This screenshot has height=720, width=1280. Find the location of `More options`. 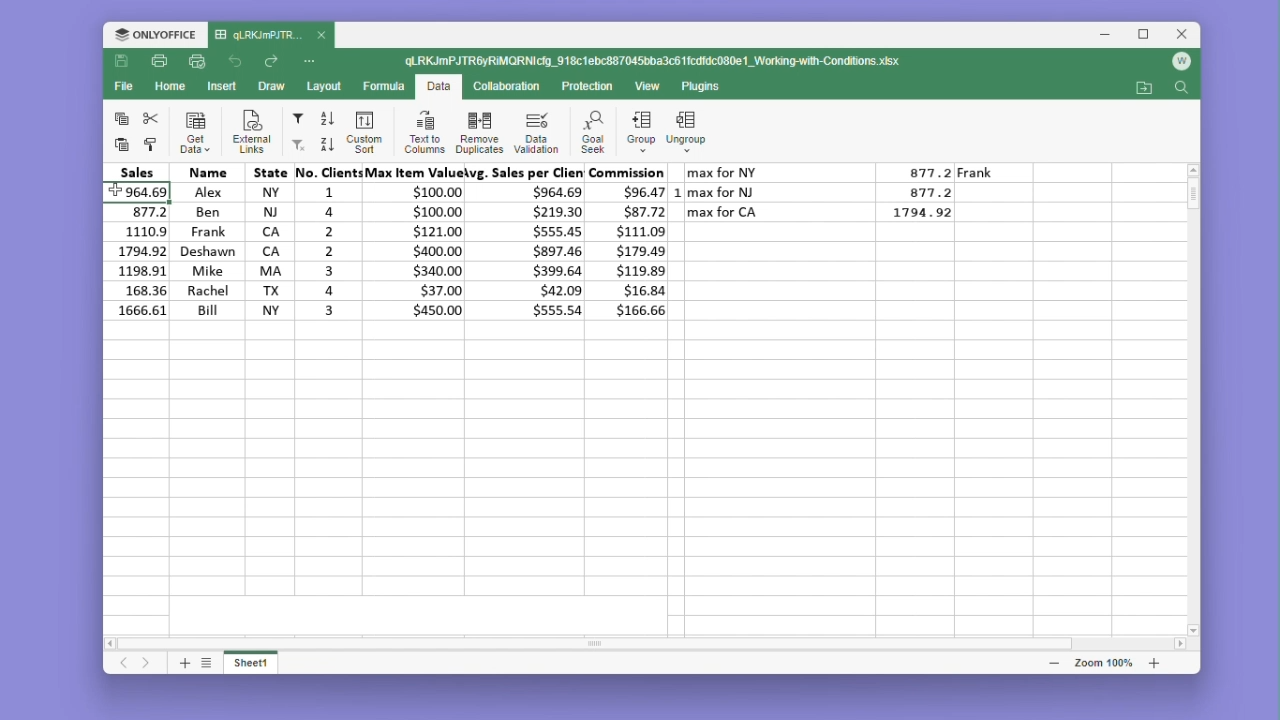

More options is located at coordinates (312, 60).